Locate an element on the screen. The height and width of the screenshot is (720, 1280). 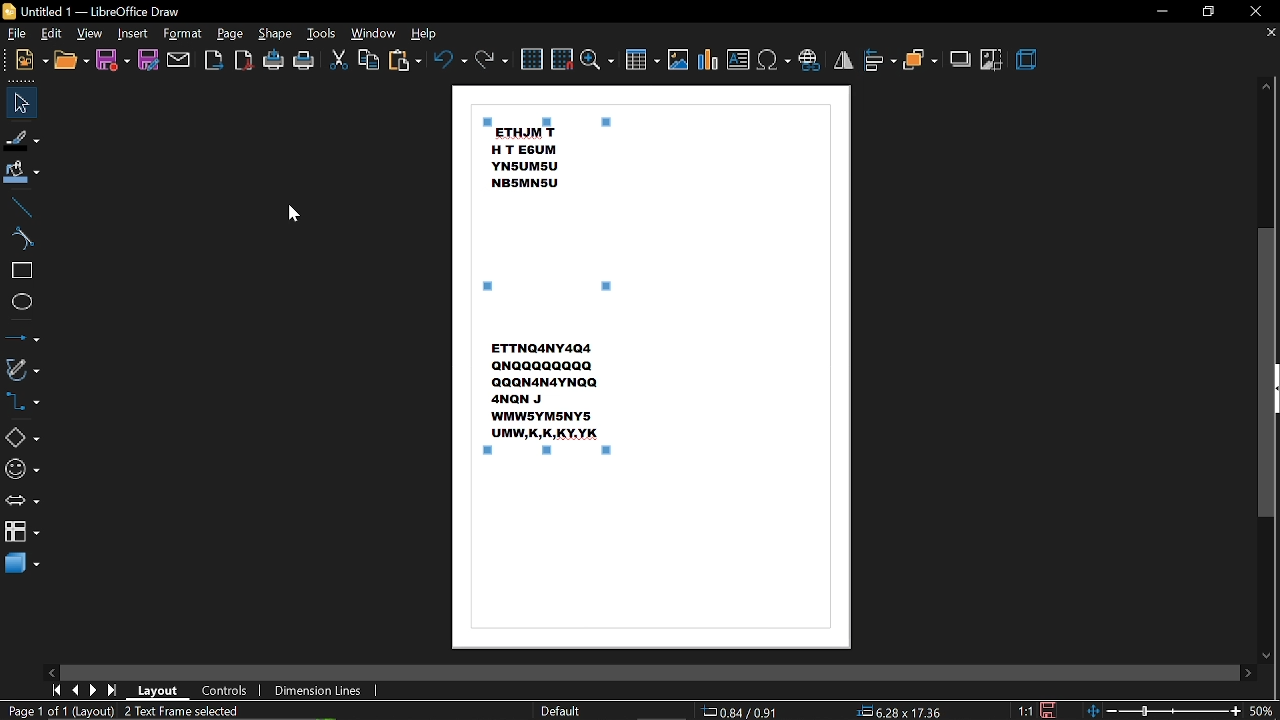
default is located at coordinates (560, 711).